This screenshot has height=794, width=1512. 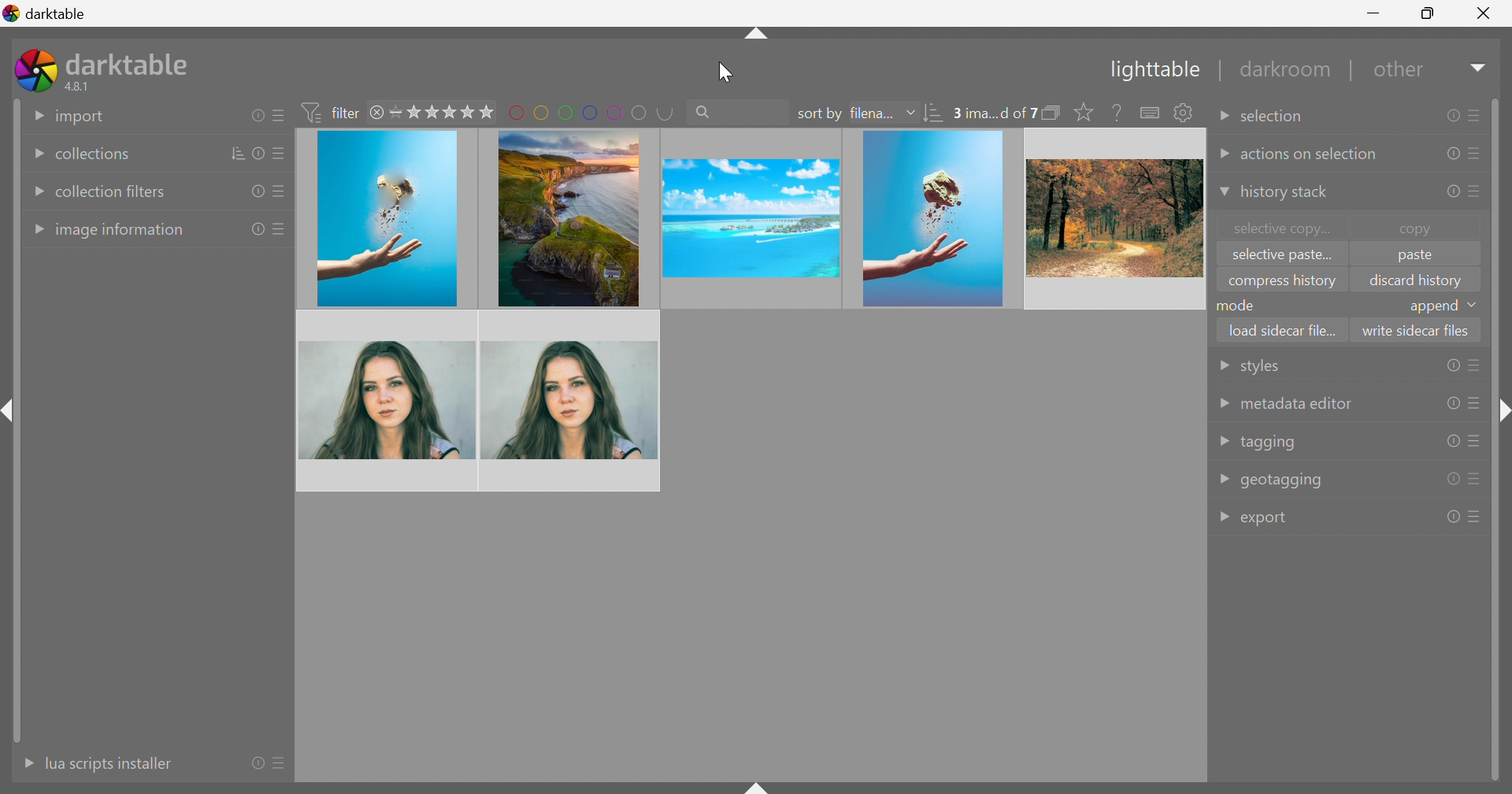 I want to click on presets, so click(x=1475, y=113).